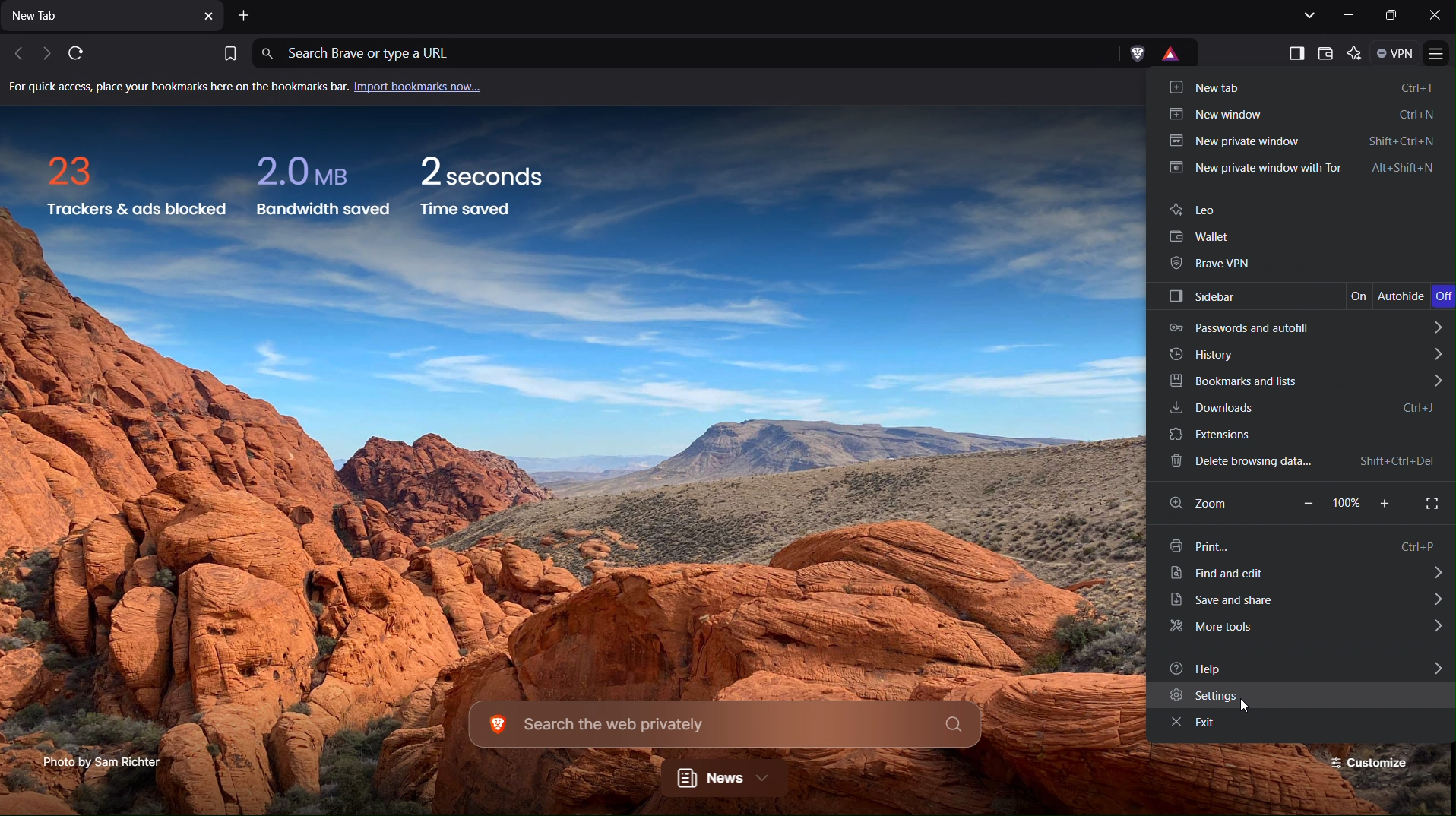  I want to click on More tools, so click(1300, 632).